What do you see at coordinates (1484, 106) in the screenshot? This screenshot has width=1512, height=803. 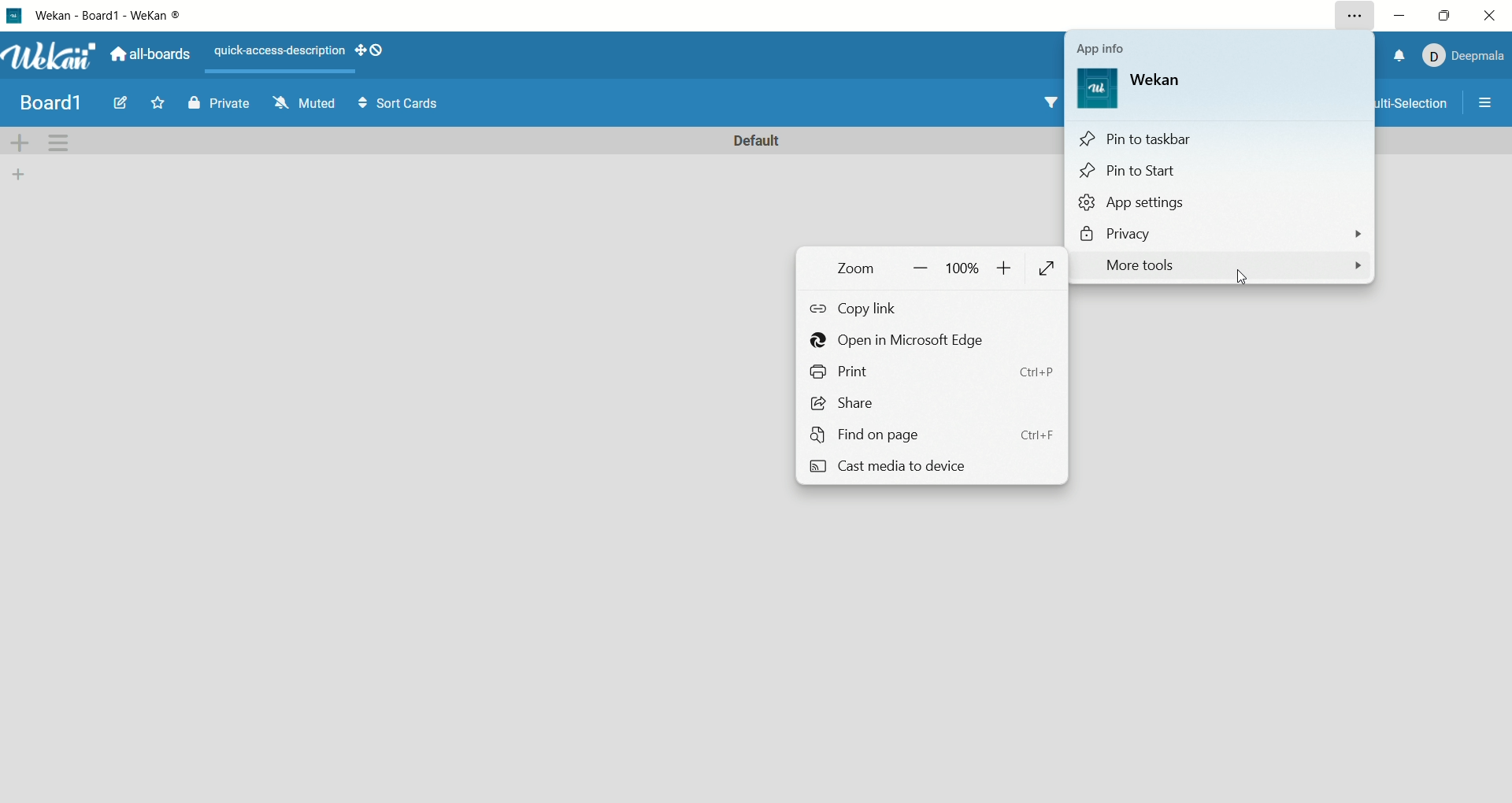 I see `more options` at bounding box center [1484, 106].